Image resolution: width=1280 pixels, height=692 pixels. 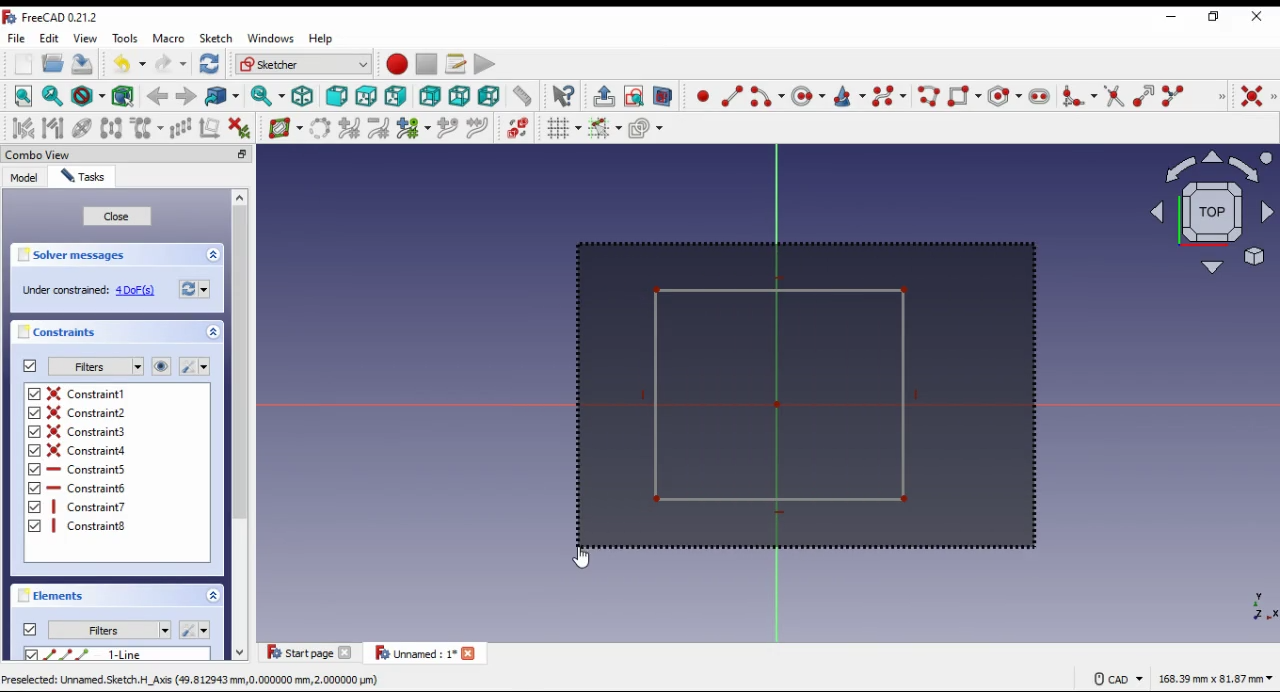 What do you see at coordinates (95, 367) in the screenshot?
I see `filter` at bounding box center [95, 367].